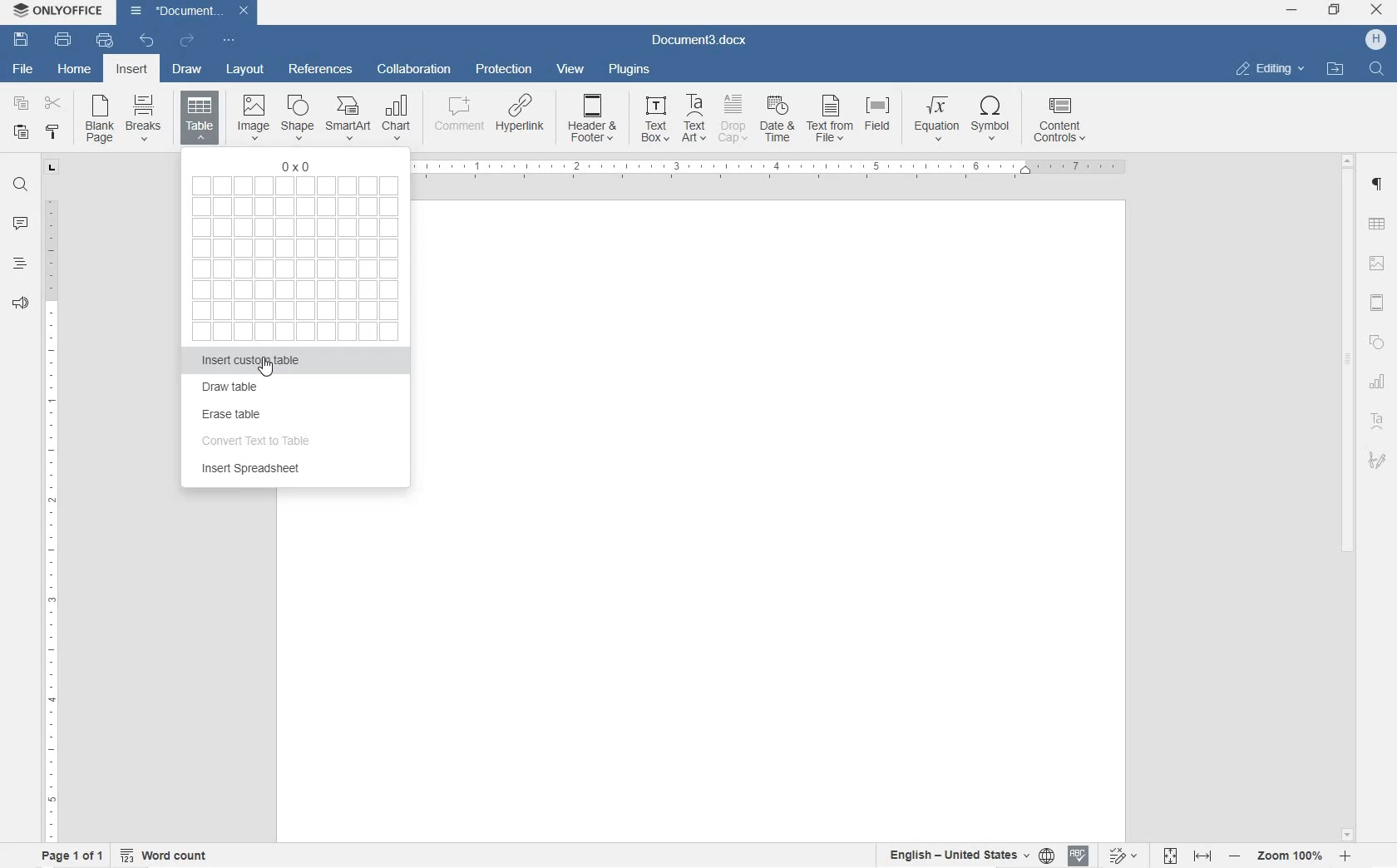  I want to click on Shape, so click(297, 117).